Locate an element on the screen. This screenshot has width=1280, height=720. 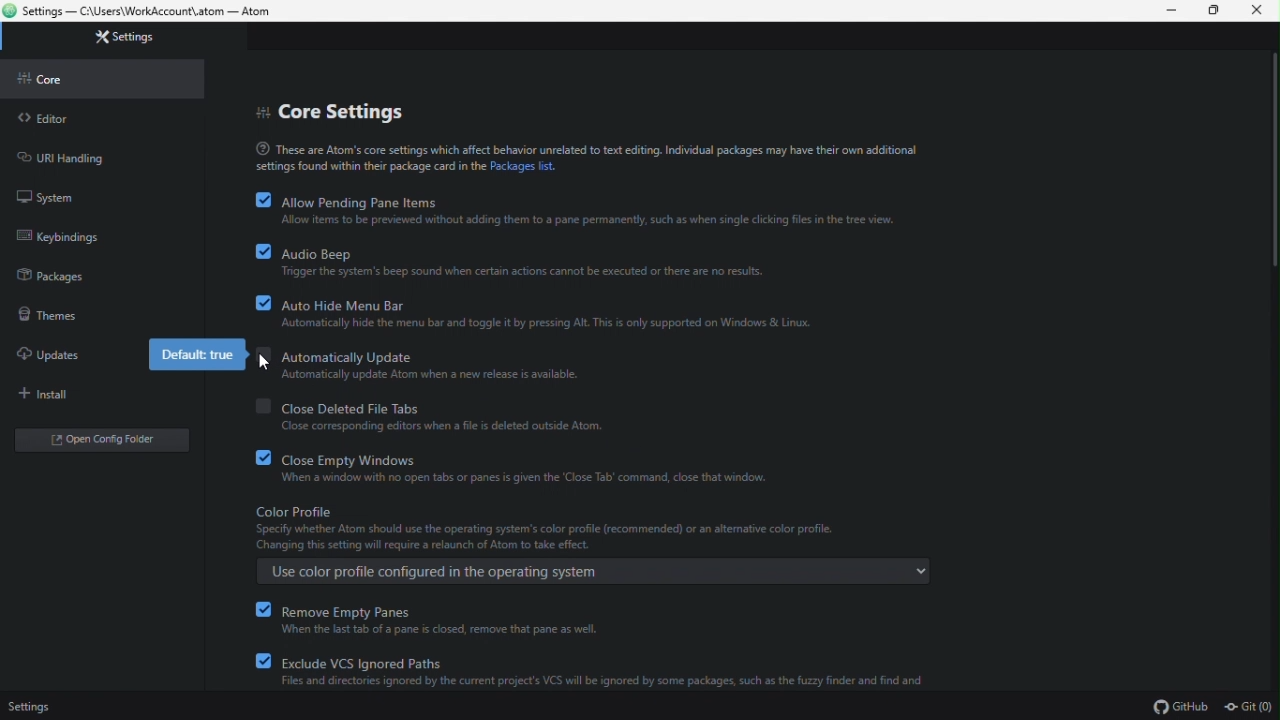
remove empty panes is located at coordinates (431, 620).